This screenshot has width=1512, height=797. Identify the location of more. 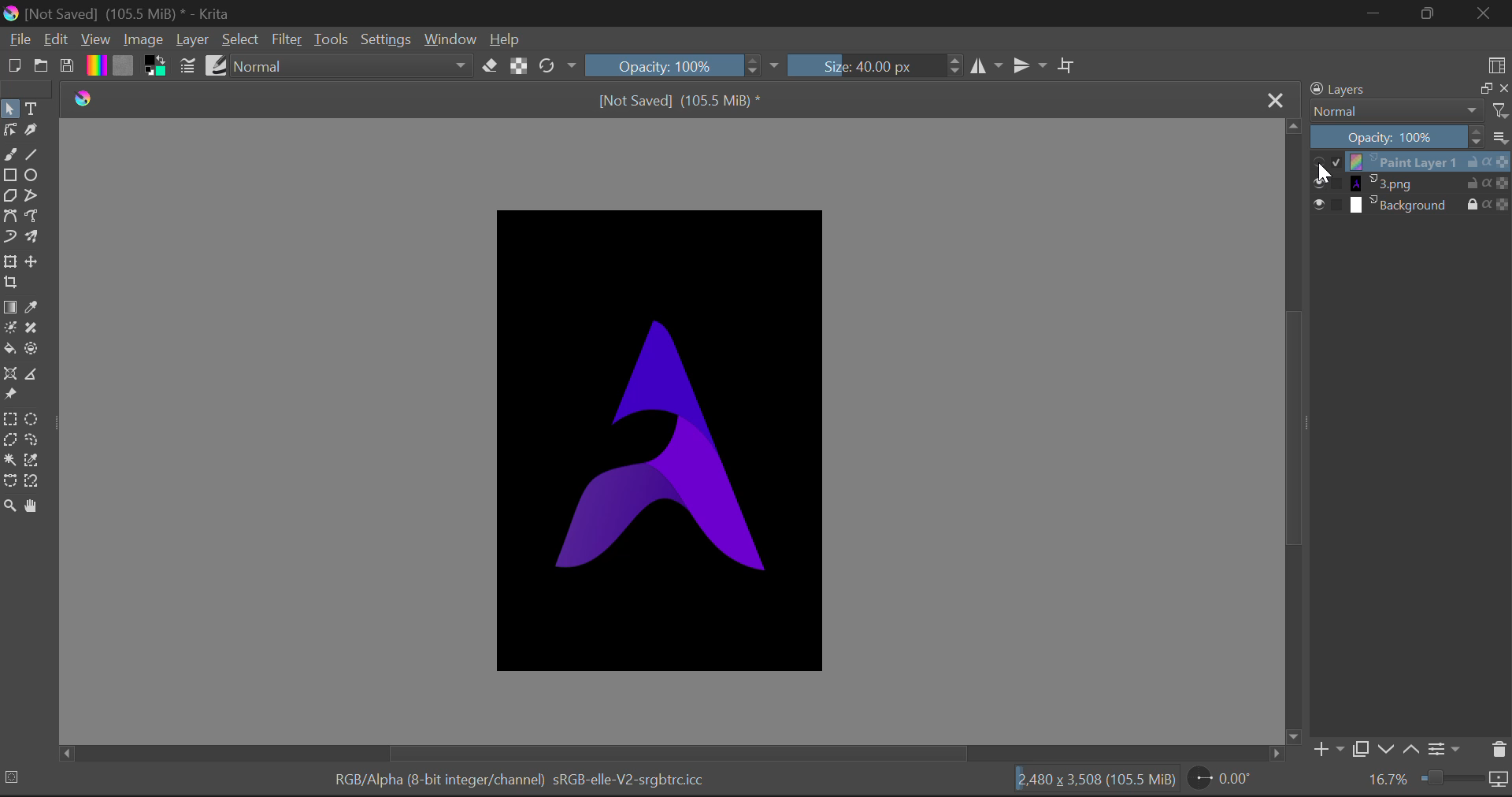
(1500, 138).